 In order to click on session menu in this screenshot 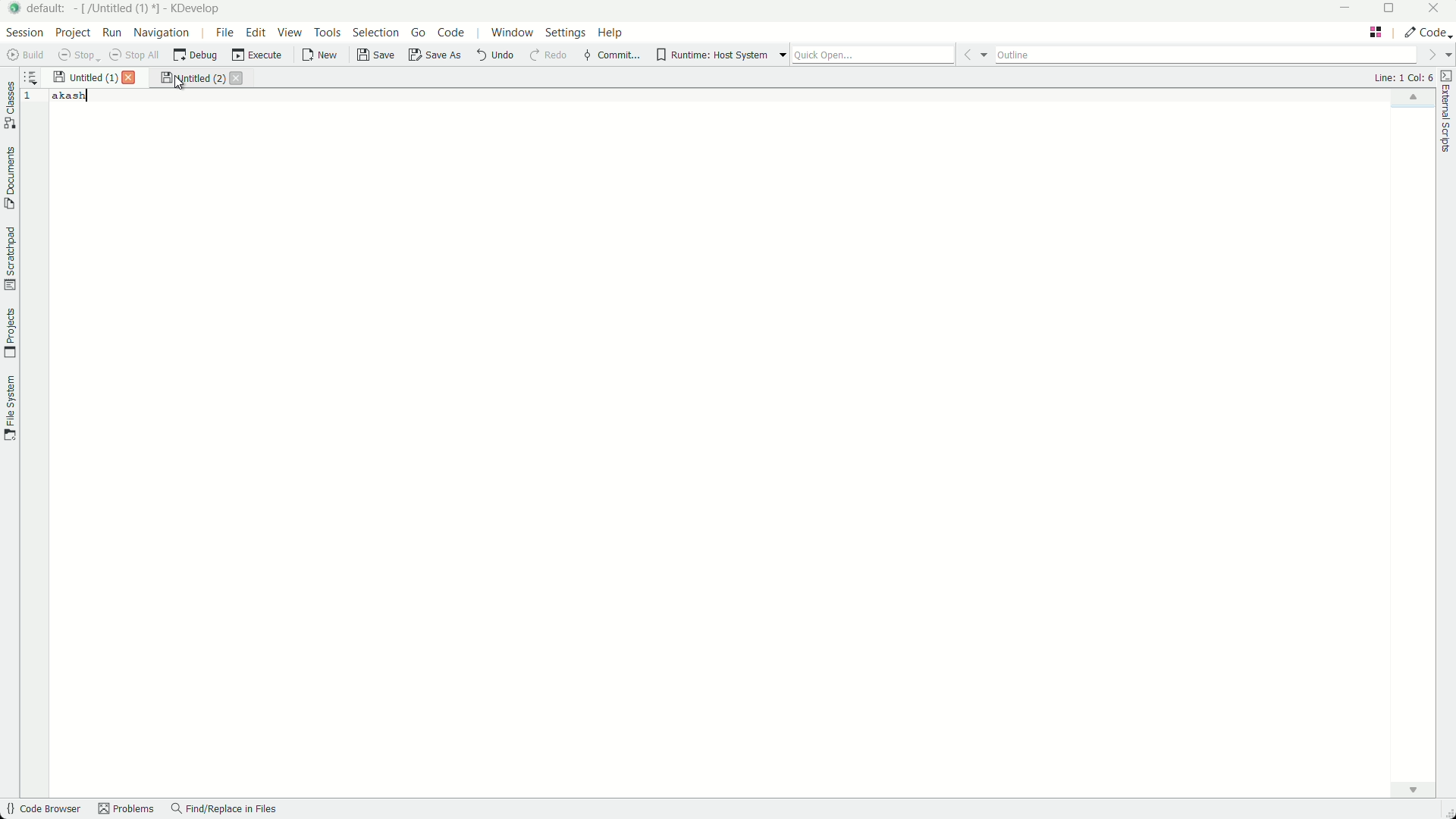, I will do `click(24, 33)`.